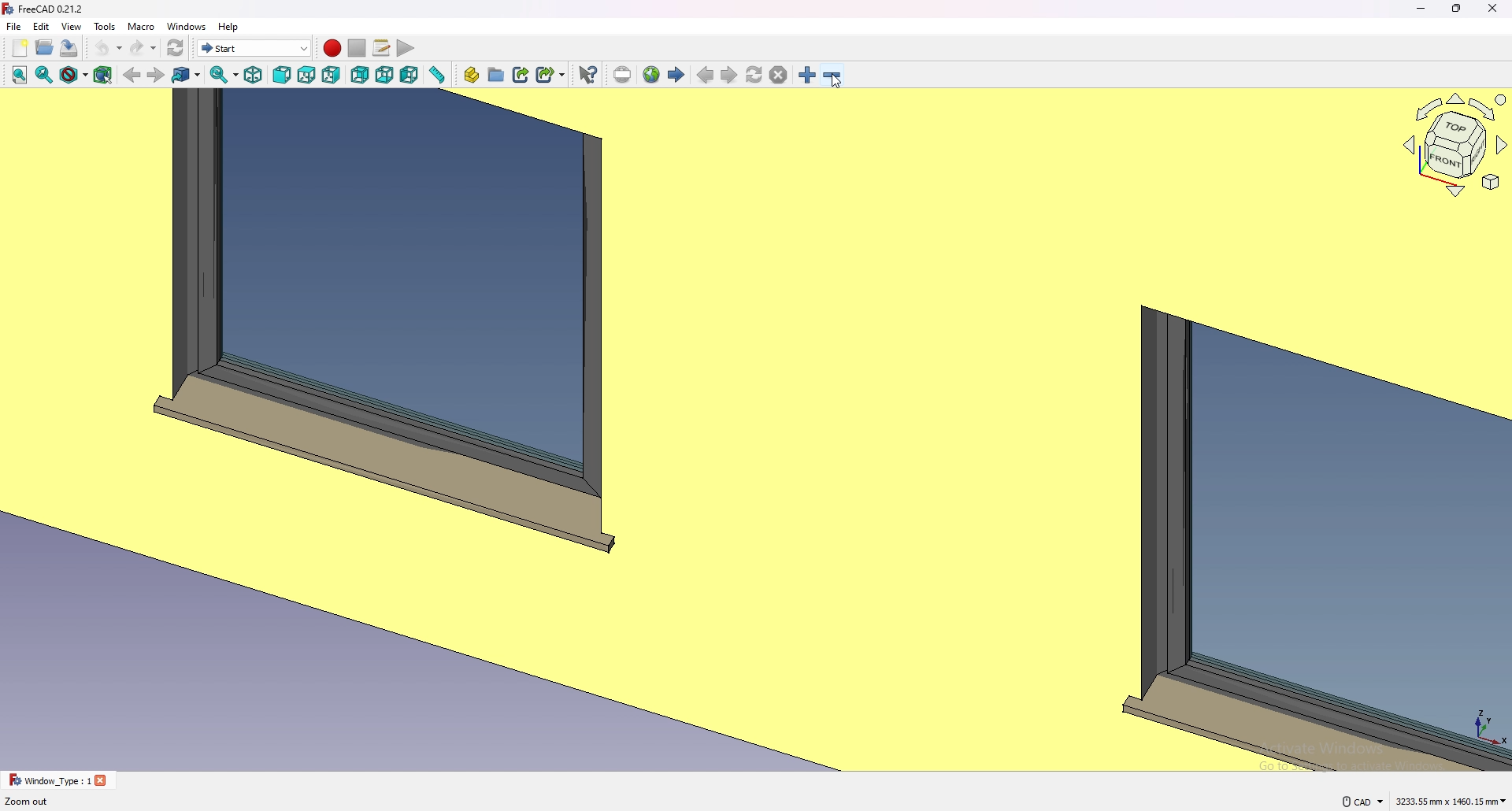 This screenshot has width=1512, height=811. Describe the element at coordinates (45, 74) in the screenshot. I see `fit selection` at that location.